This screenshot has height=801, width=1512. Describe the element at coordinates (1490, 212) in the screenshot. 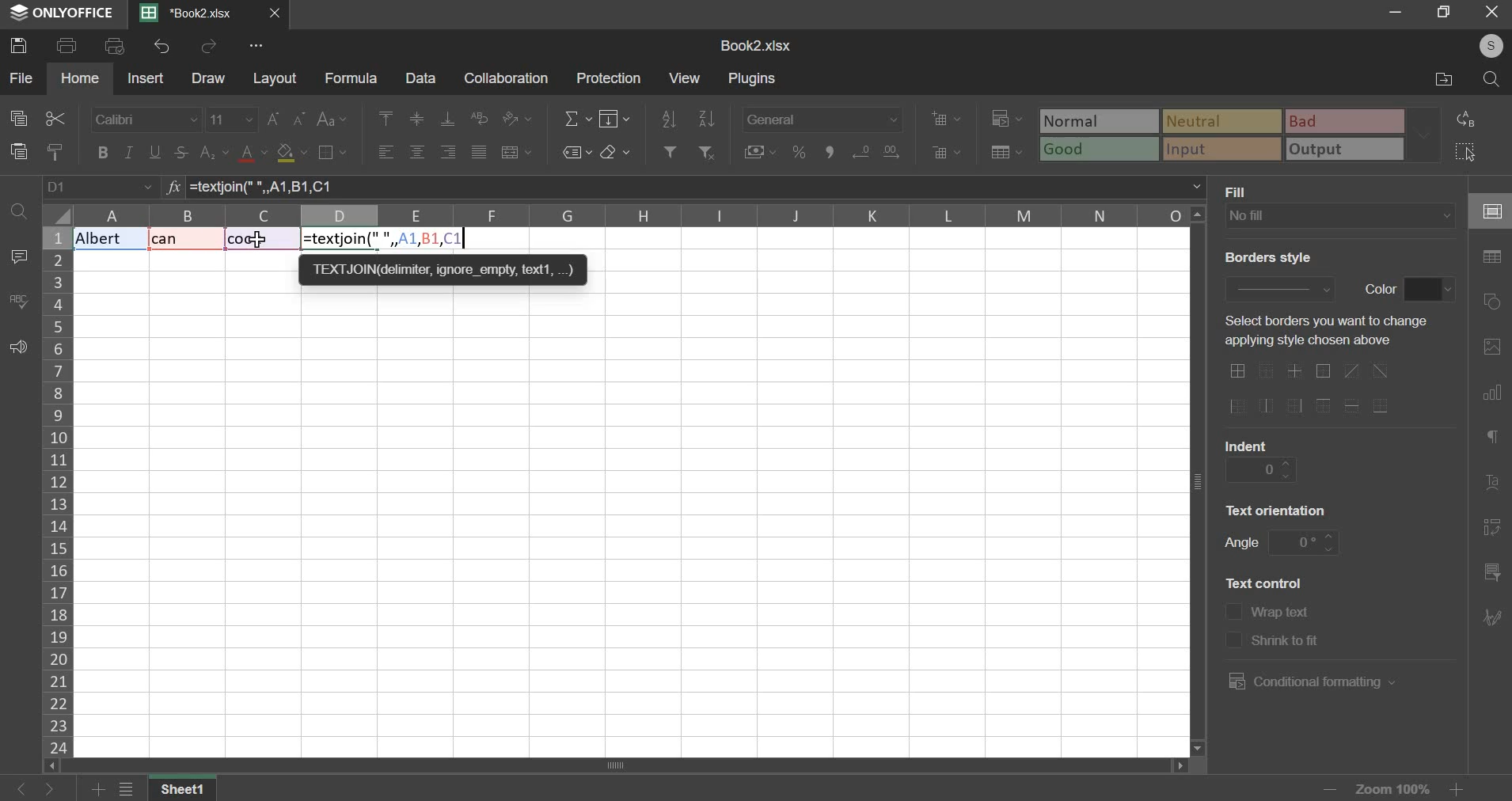

I see `cell` at that location.